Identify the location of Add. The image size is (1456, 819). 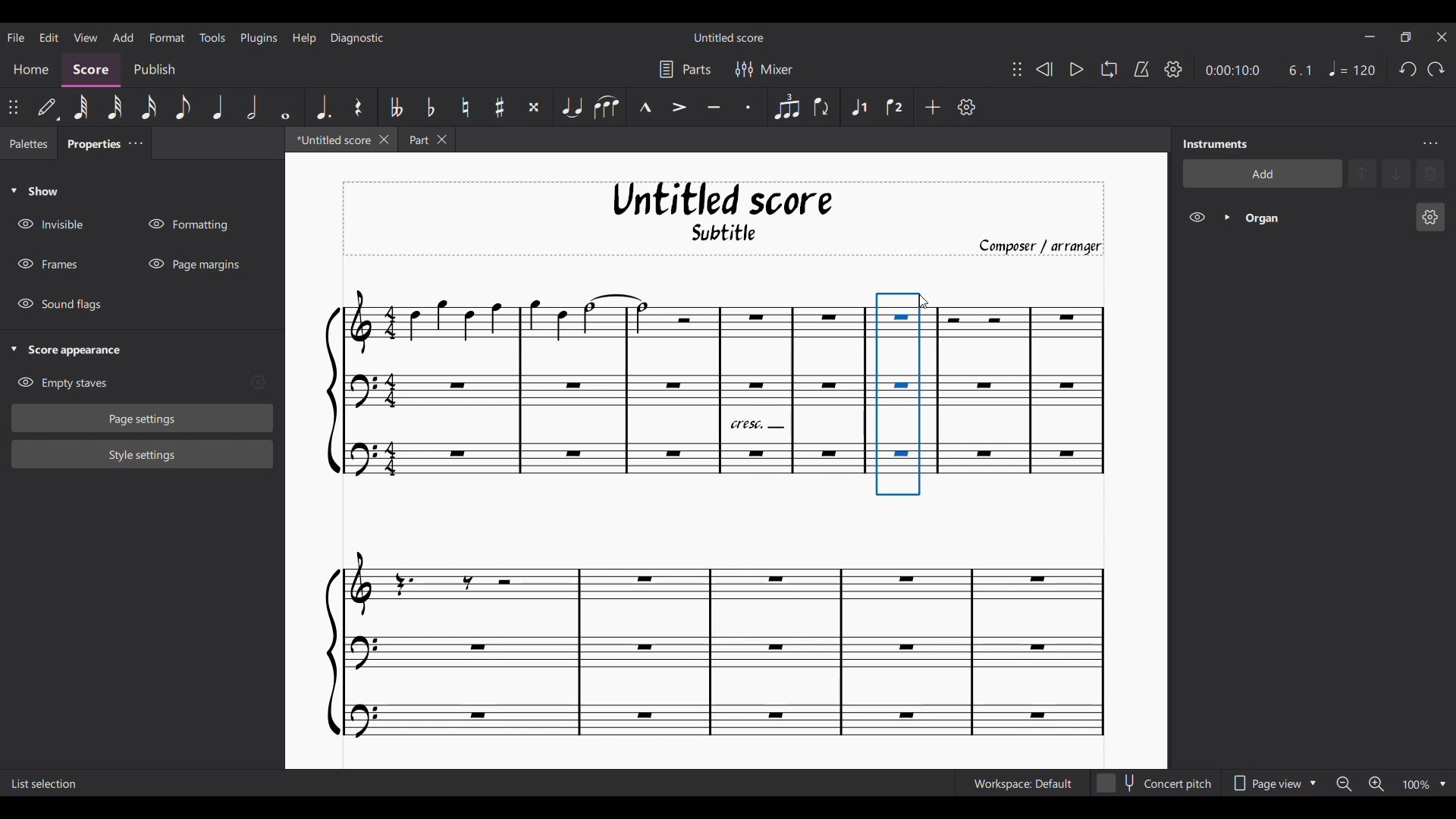
(932, 106).